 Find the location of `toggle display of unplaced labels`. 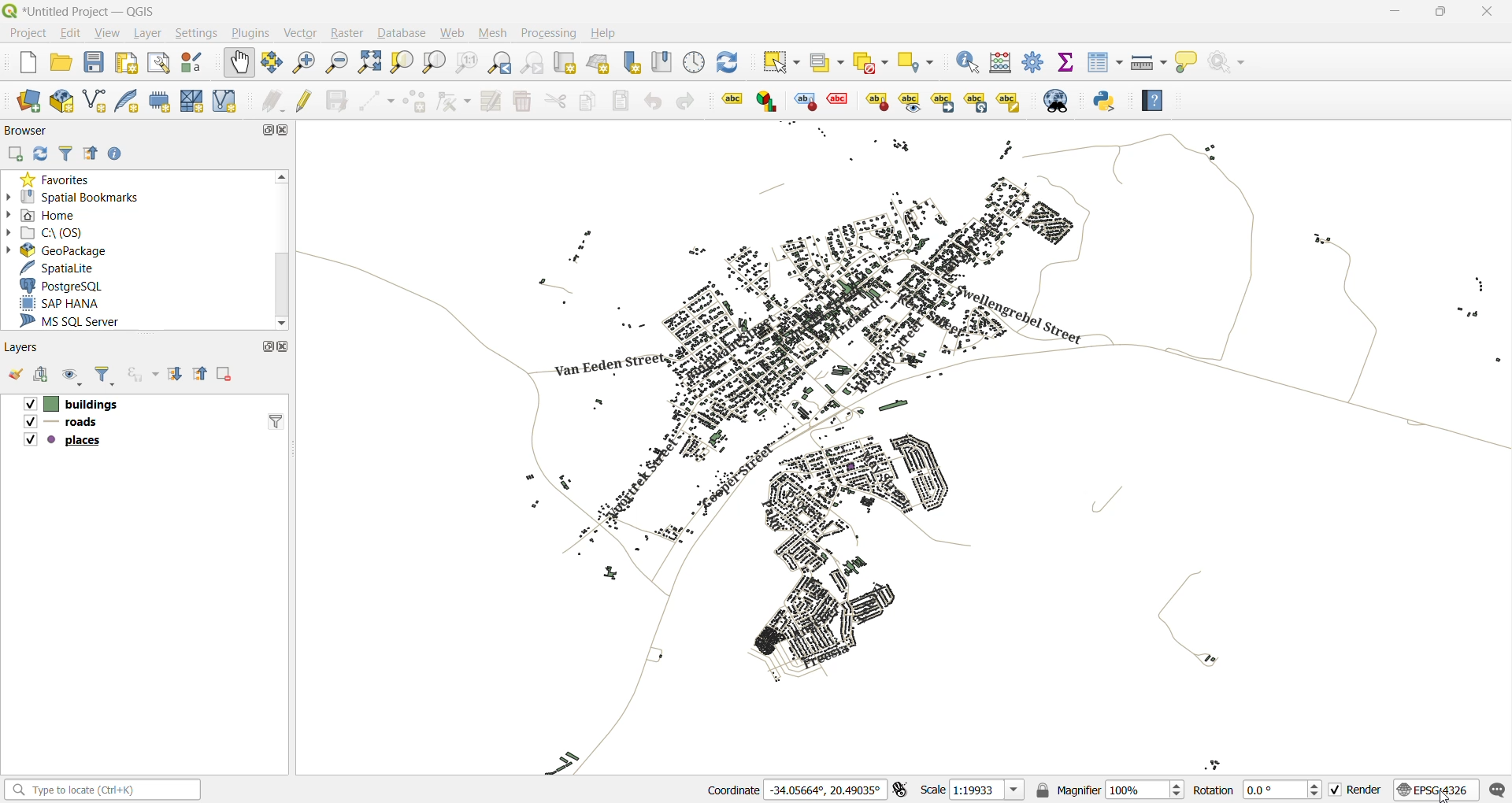

toggle display of unplaced labels is located at coordinates (838, 98).